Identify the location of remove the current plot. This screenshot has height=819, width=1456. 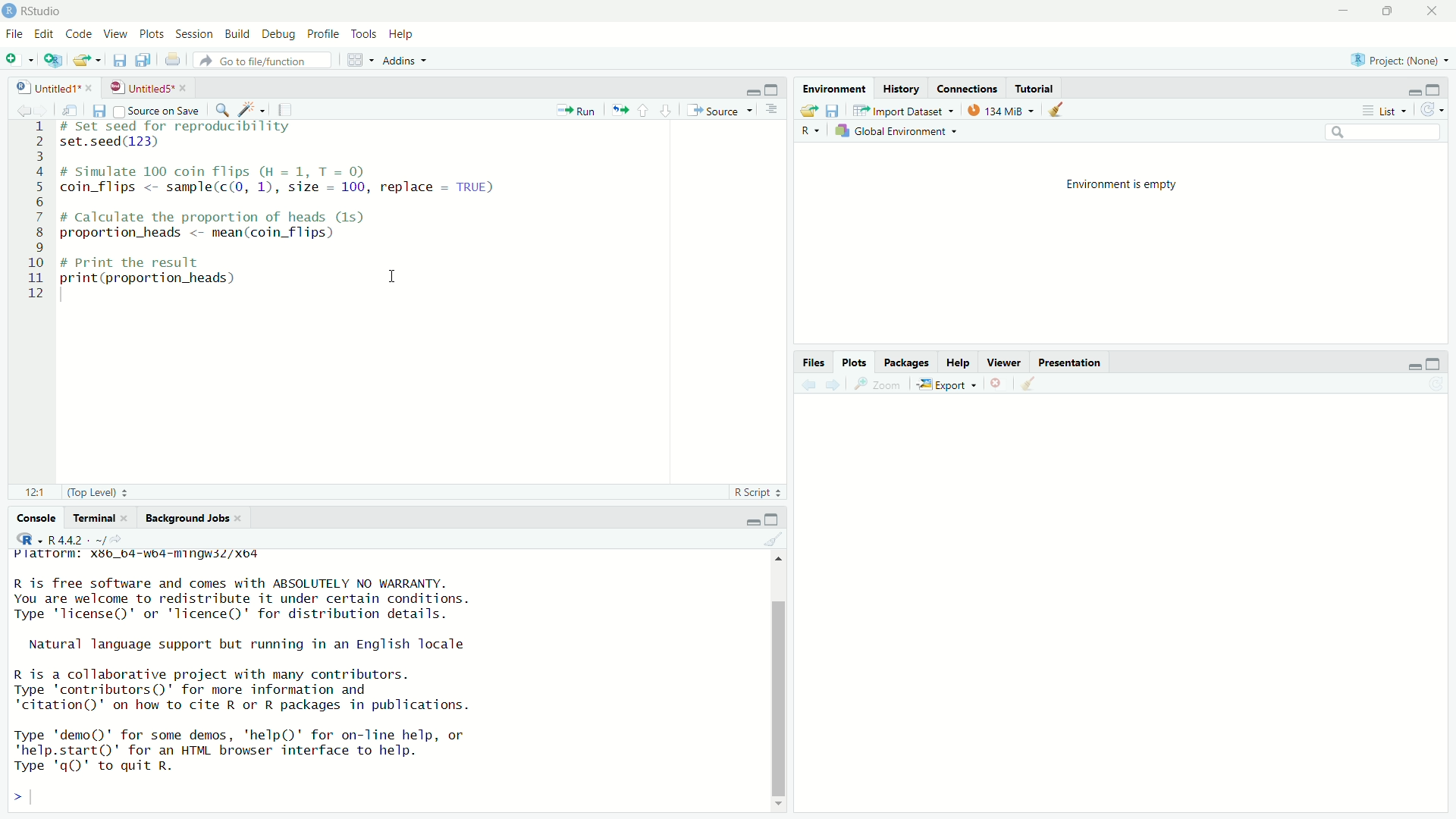
(997, 383).